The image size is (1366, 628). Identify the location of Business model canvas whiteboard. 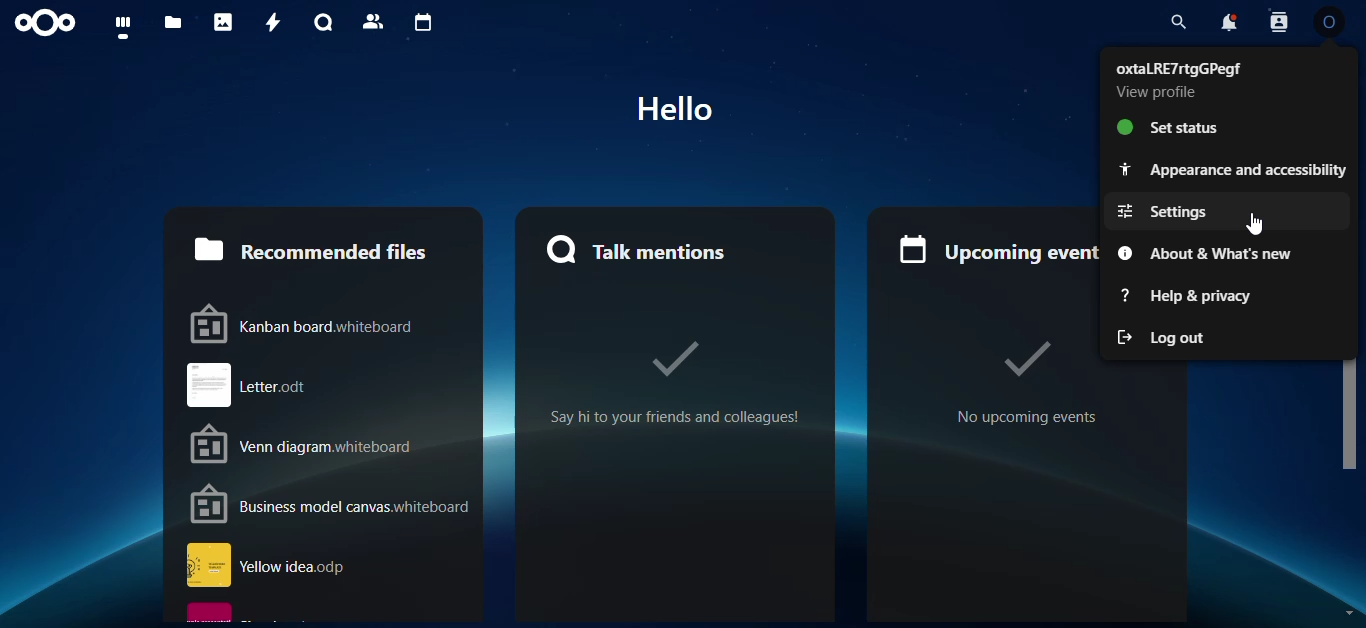
(331, 504).